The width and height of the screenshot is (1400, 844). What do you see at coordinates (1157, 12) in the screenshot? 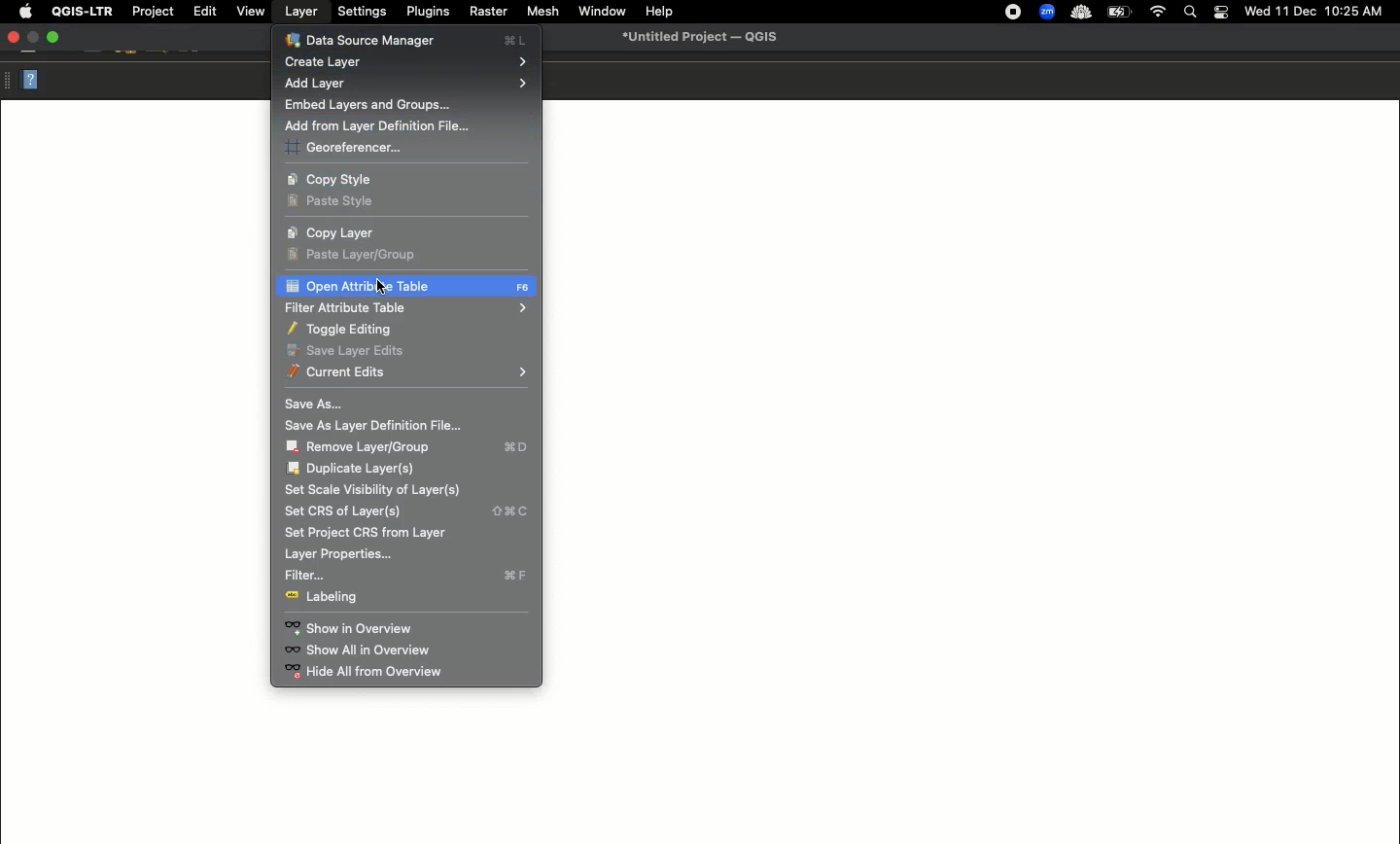
I see `Internet` at bounding box center [1157, 12].